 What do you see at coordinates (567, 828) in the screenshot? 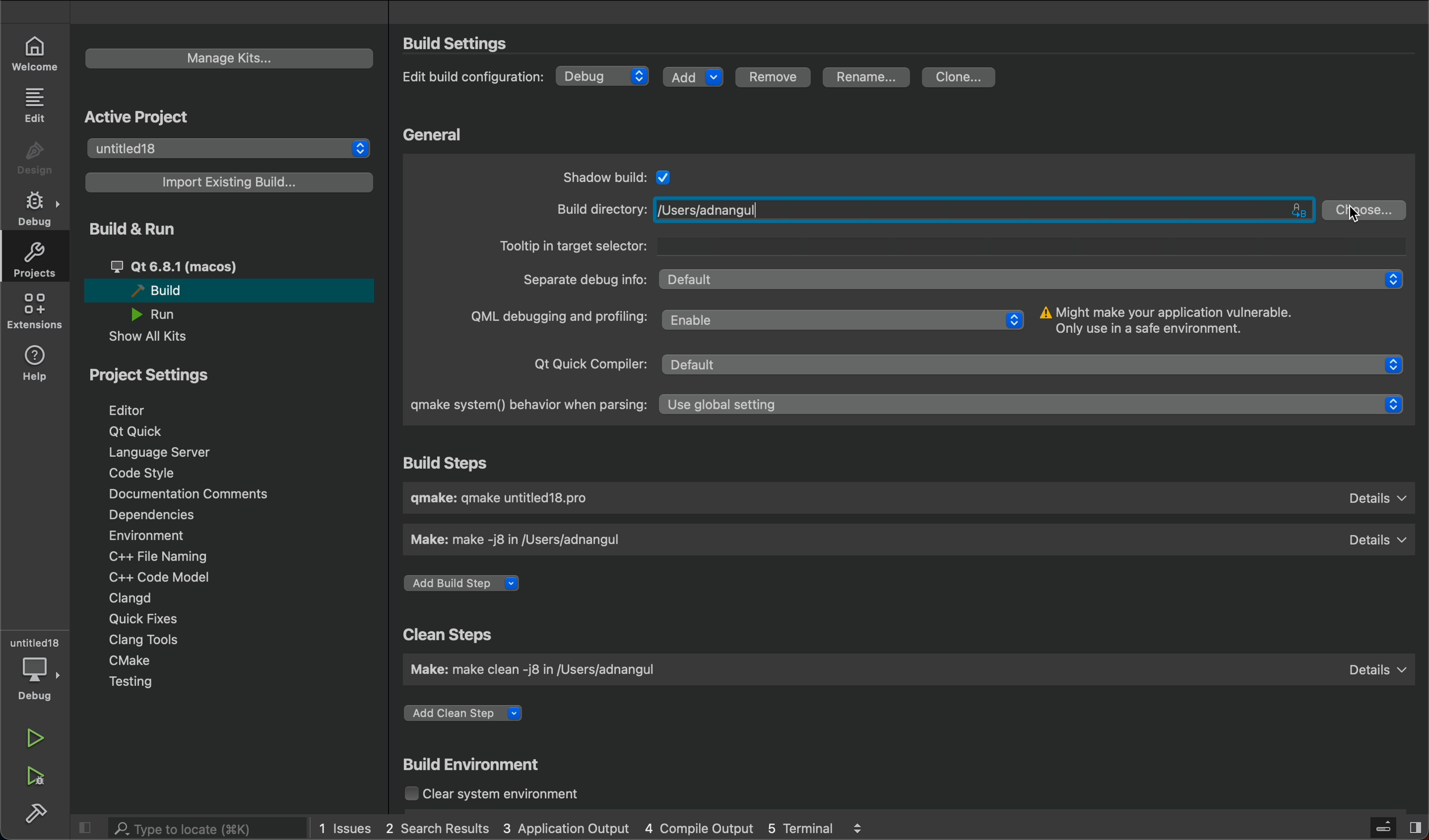
I see `3 Application Output` at bounding box center [567, 828].